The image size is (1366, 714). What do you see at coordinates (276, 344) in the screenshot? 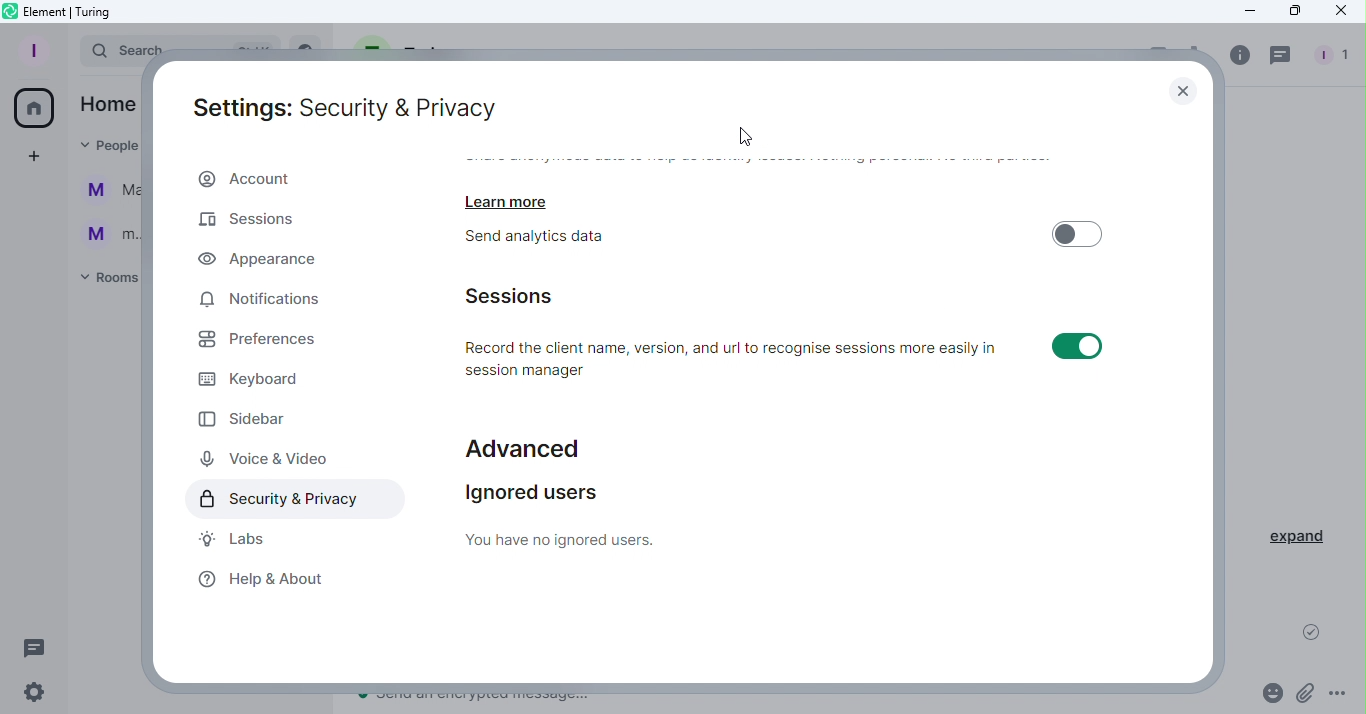
I see `Preferences` at bounding box center [276, 344].